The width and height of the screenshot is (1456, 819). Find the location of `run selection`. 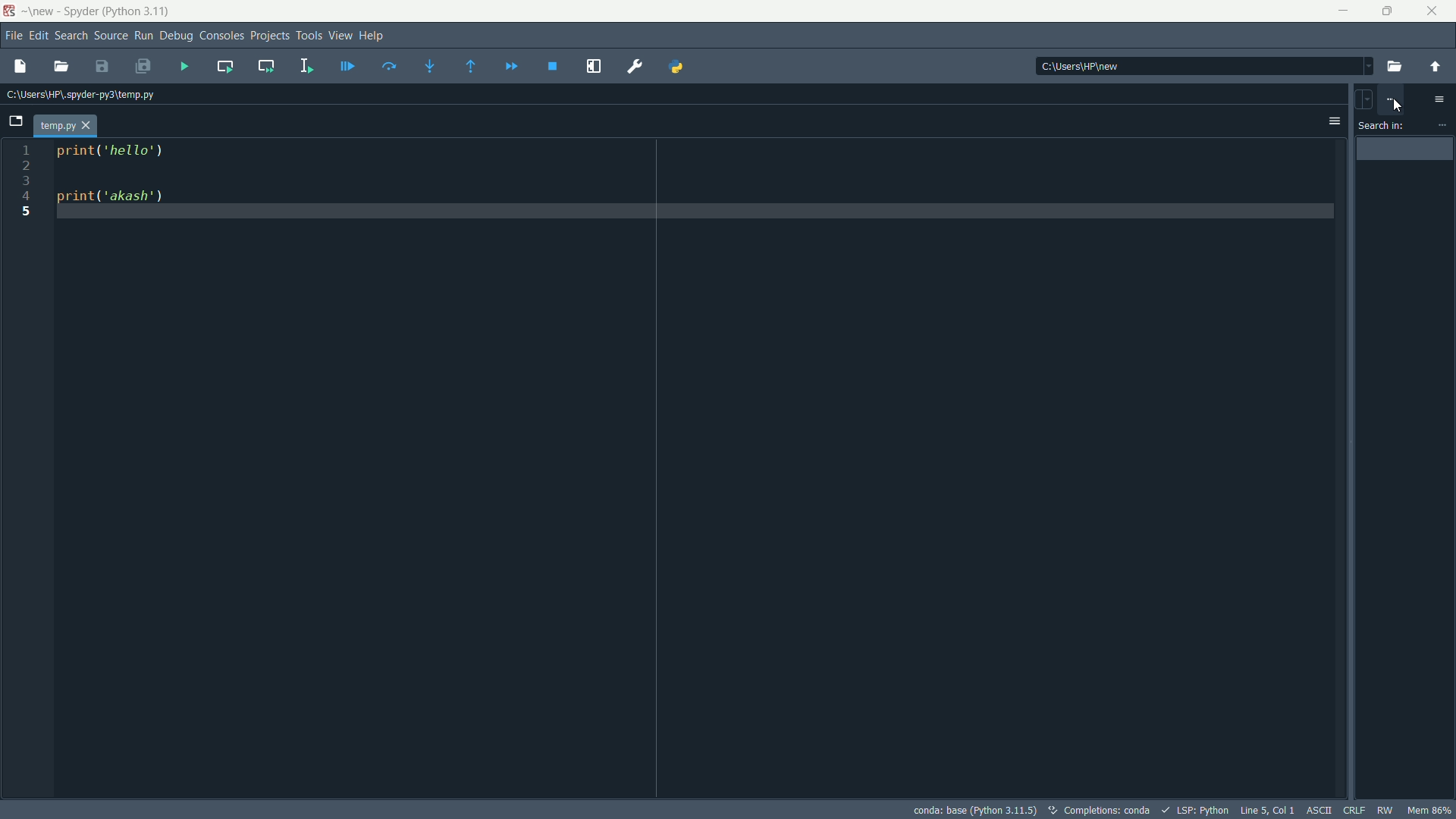

run selection is located at coordinates (304, 67).